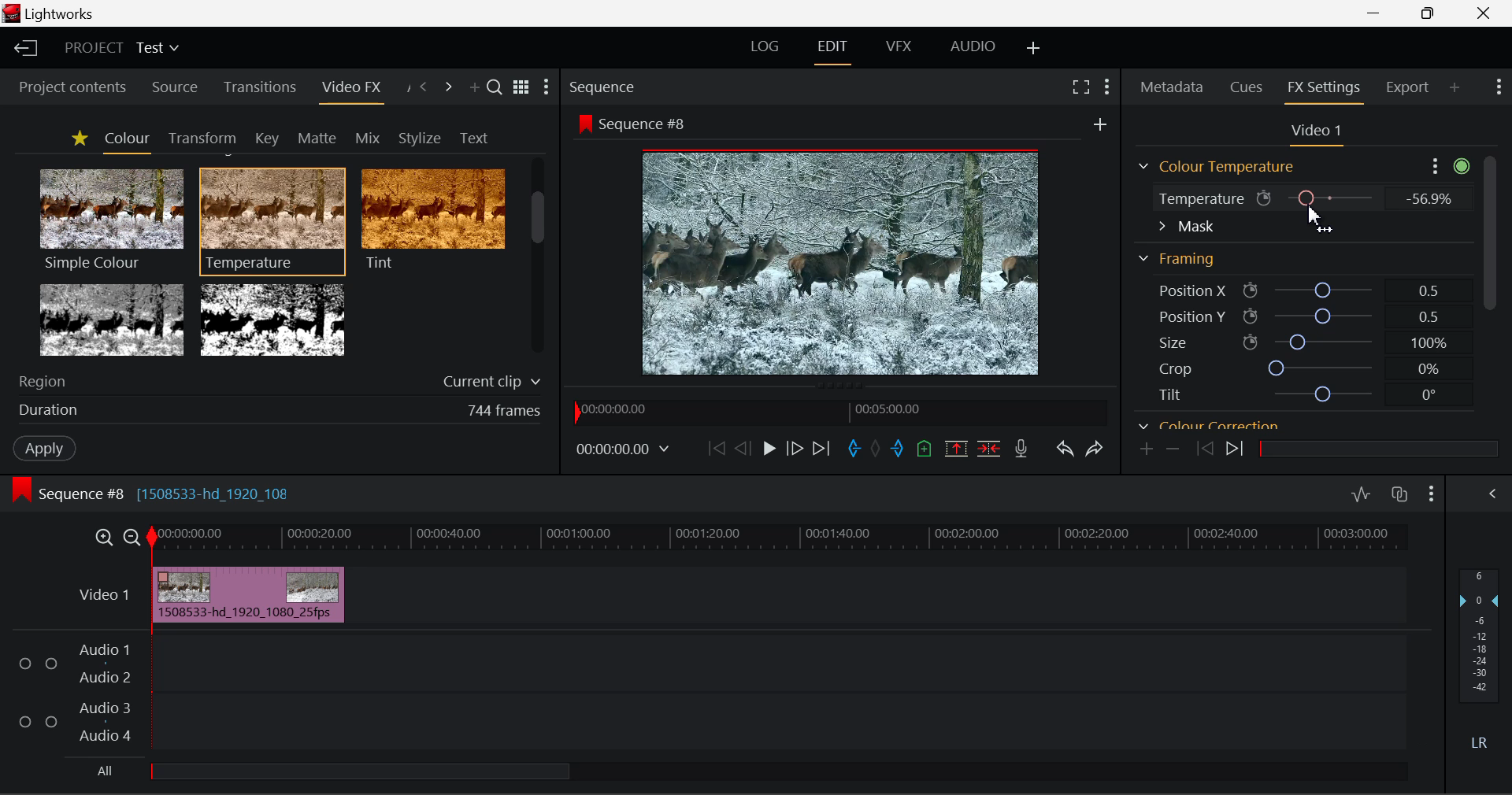 Image resolution: width=1512 pixels, height=795 pixels. Describe the element at coordinates (1430, 395) in the screenshot. I see `0°` at that location.